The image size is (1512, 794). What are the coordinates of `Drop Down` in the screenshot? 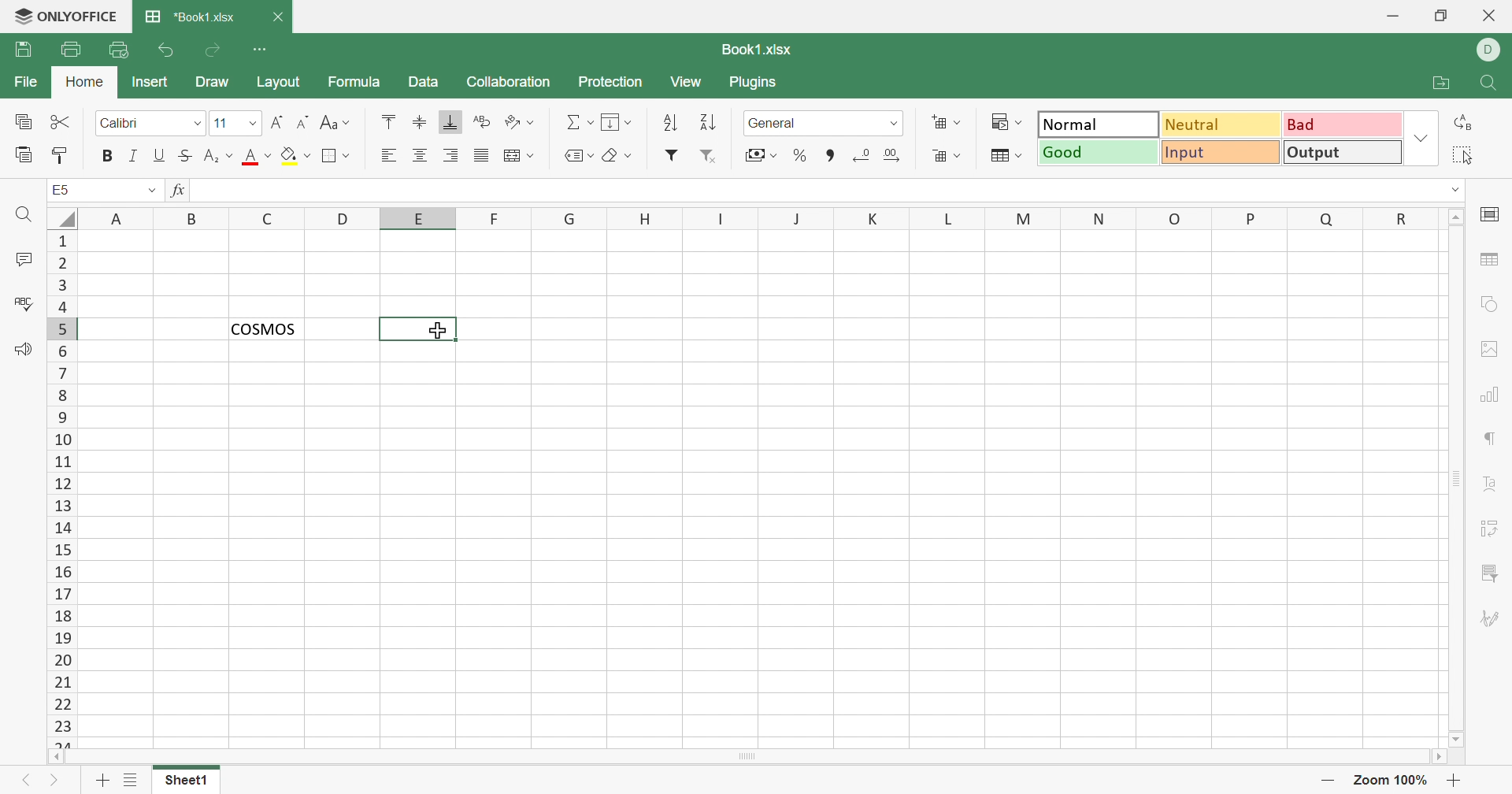 It's located at (150, 191).